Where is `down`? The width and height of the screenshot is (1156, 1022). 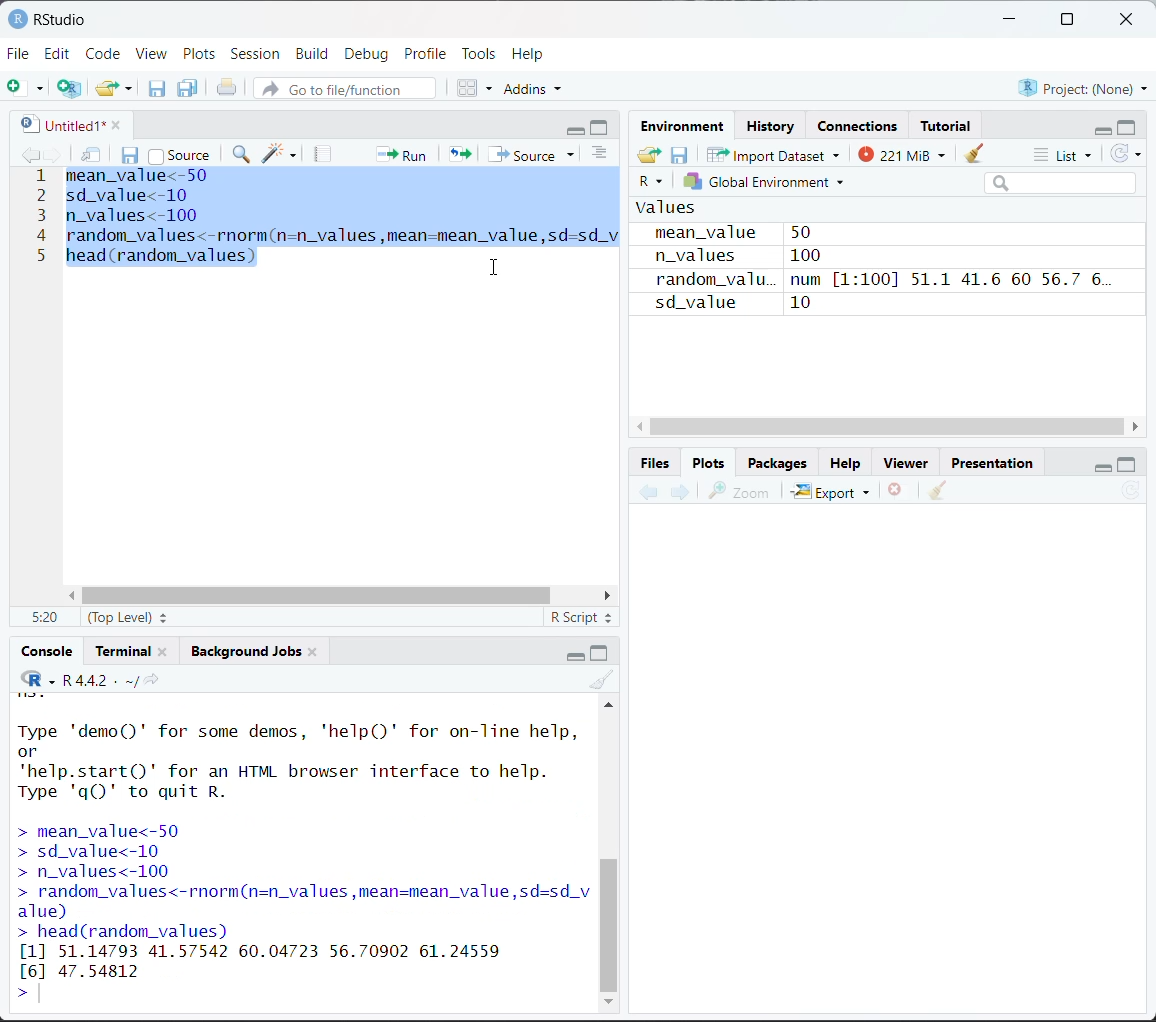 down is located at coordinates (607, 998).